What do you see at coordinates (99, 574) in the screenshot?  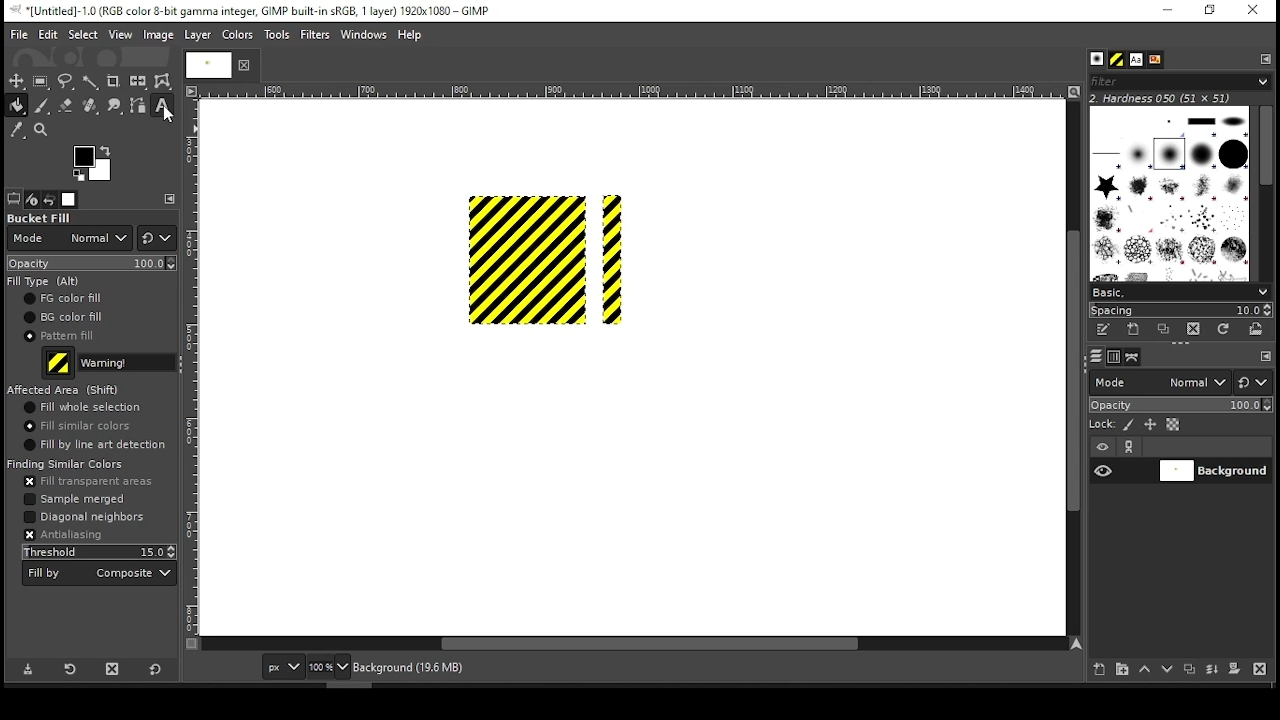 I see `fill by` at bounding box center [99, 574].